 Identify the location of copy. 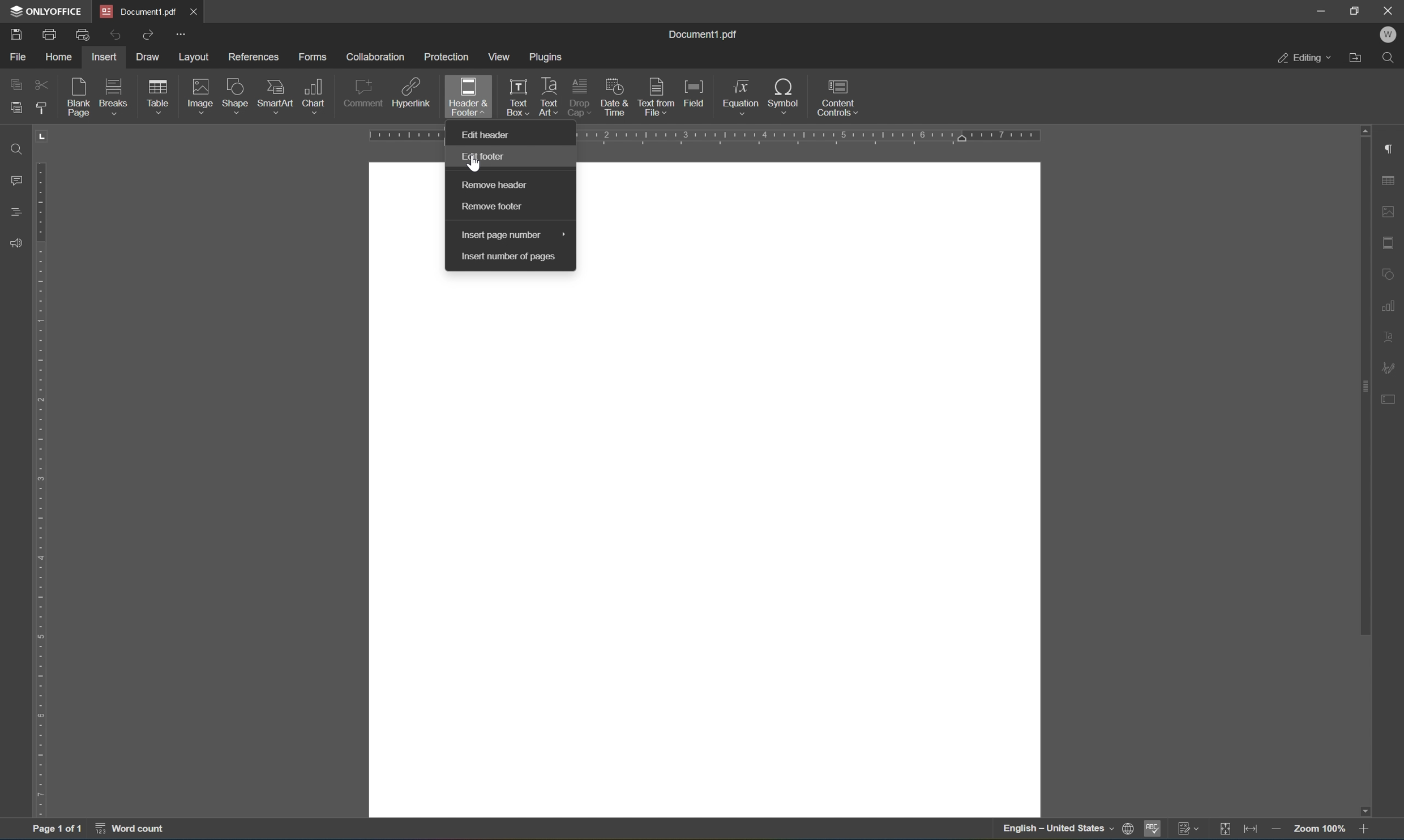
(19, 85).